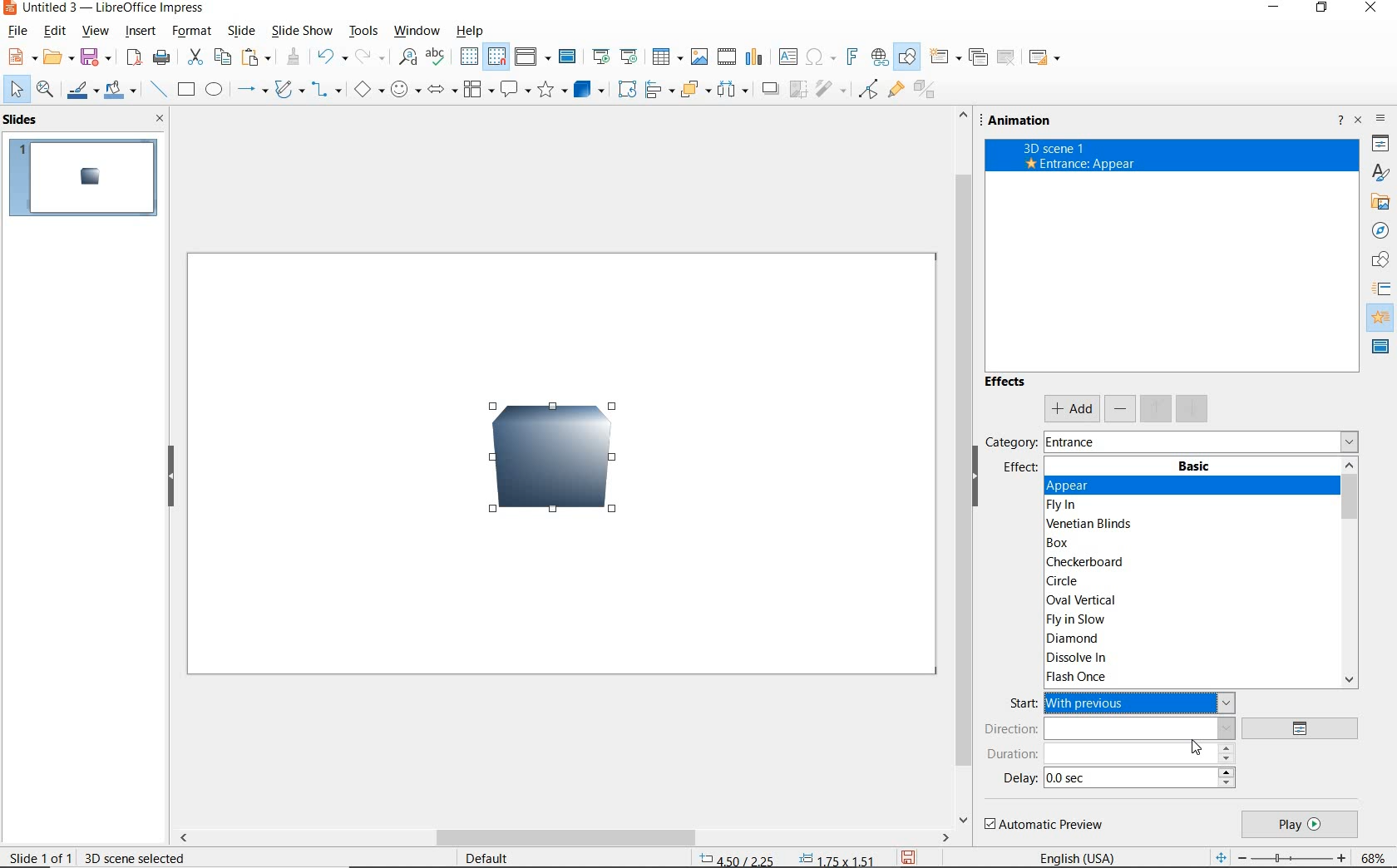  Describe the element at coordinates (1383, 121) in the screenshot. I see `SIDEBAR SETTINGS` at that location.